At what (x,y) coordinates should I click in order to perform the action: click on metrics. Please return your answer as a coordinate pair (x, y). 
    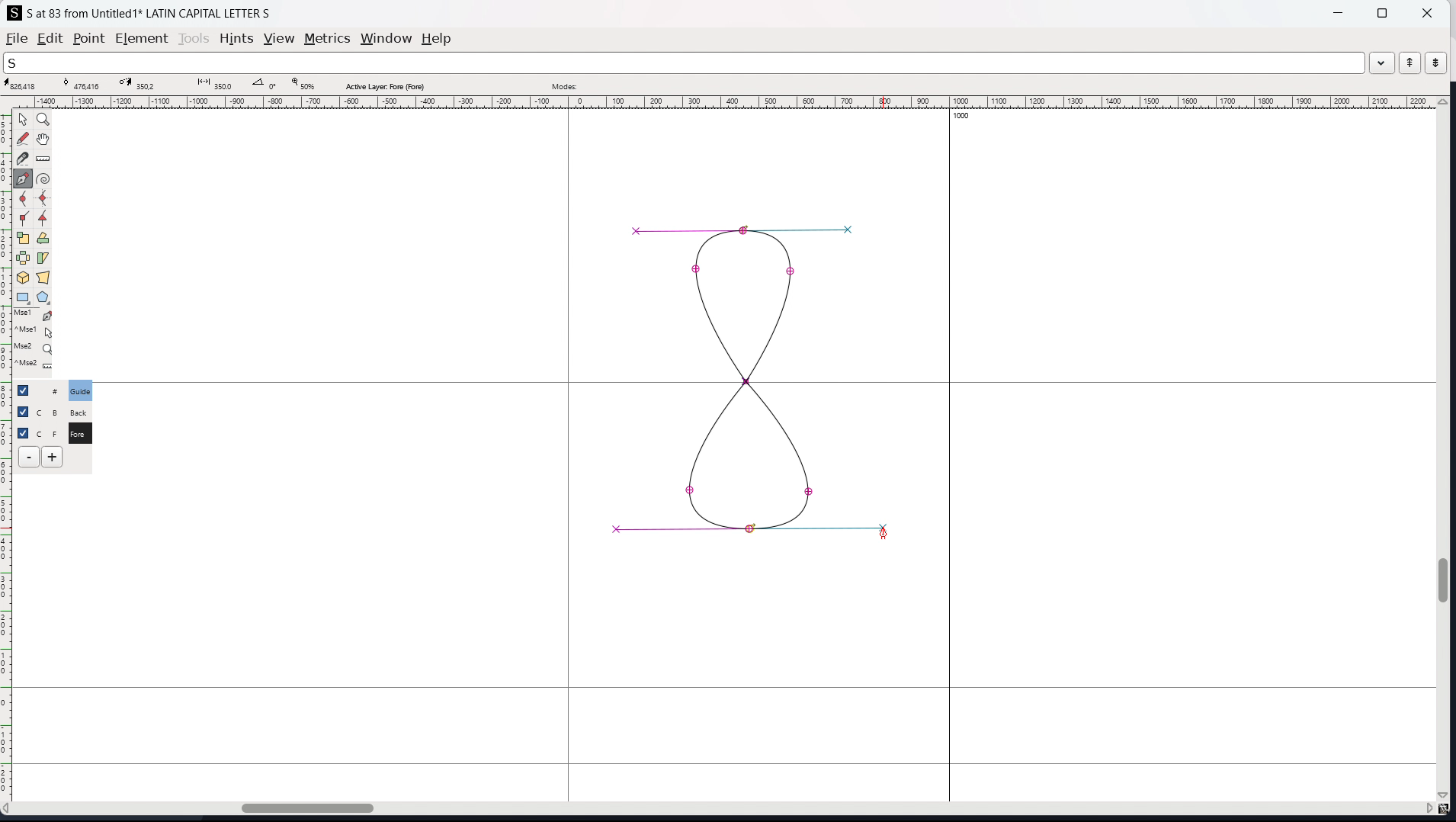
    Looking at the image, I should click on (327, 38).